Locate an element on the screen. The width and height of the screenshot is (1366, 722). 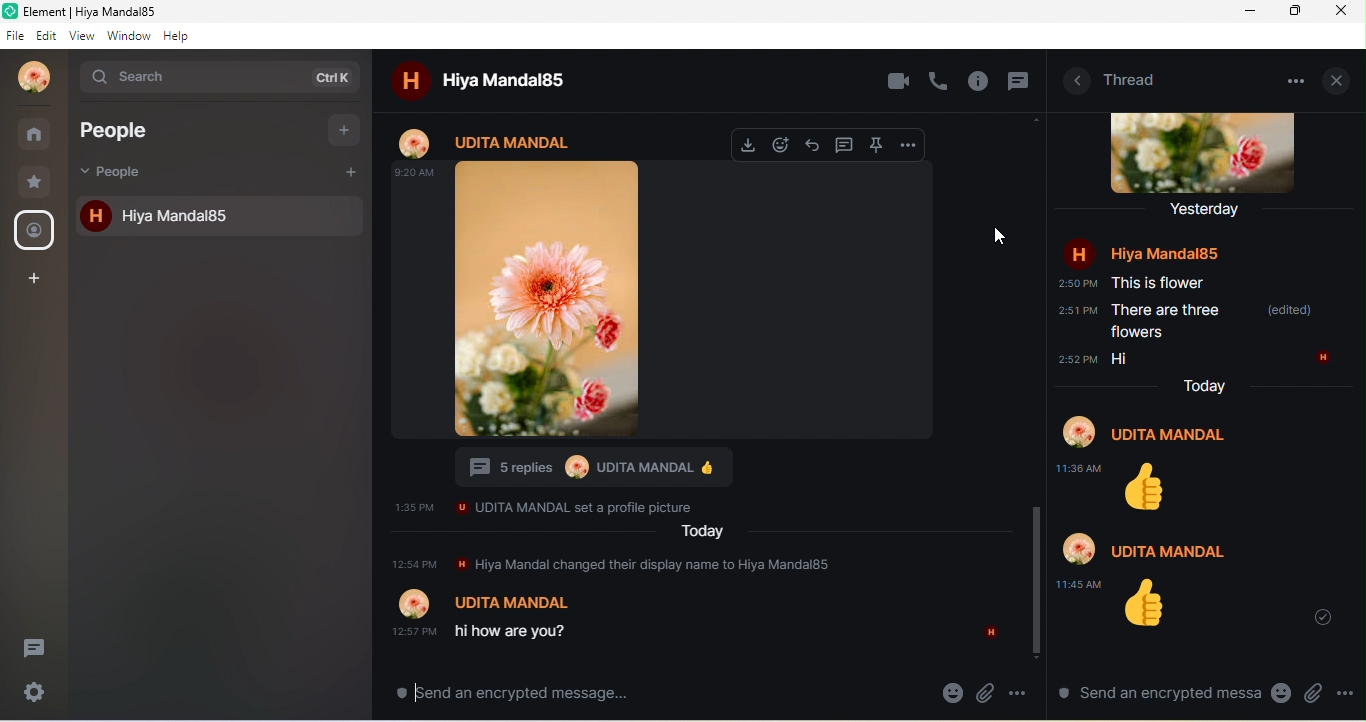
UDITA MANDAL set a profile picture is located at coordinates (568, 507).